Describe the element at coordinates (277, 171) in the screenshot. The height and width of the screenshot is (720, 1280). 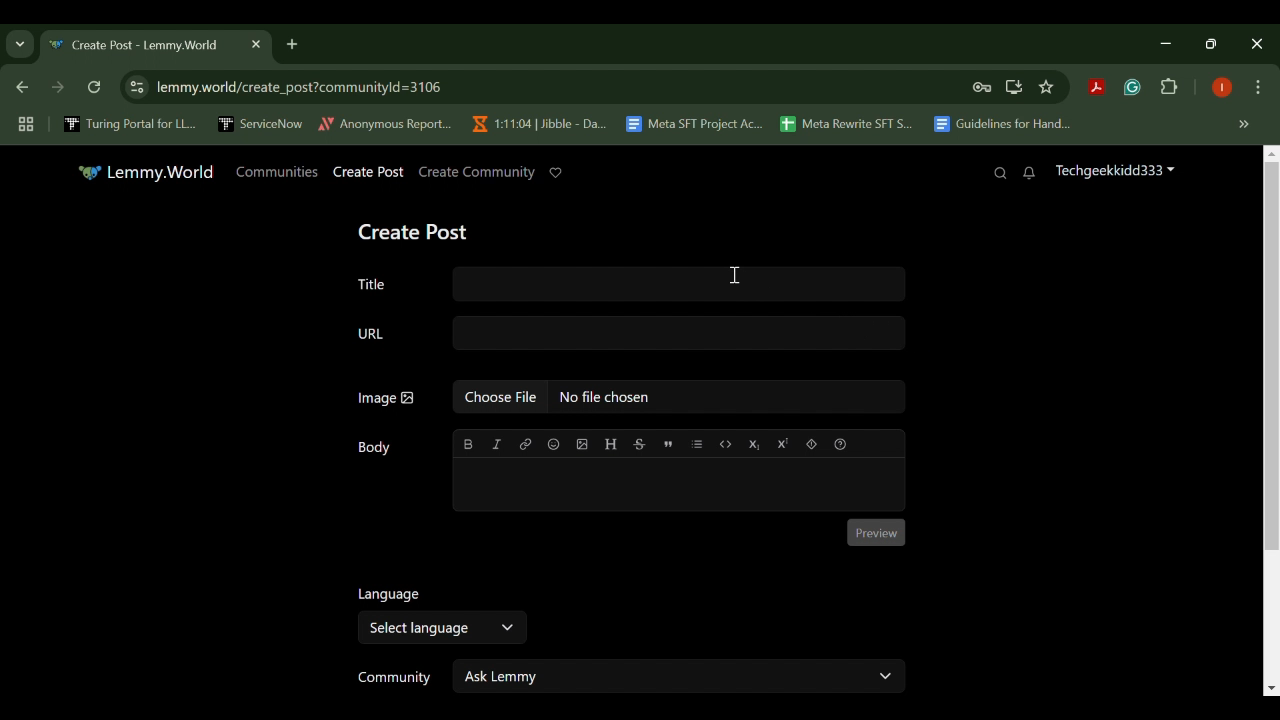
I see `Communities` at that location.